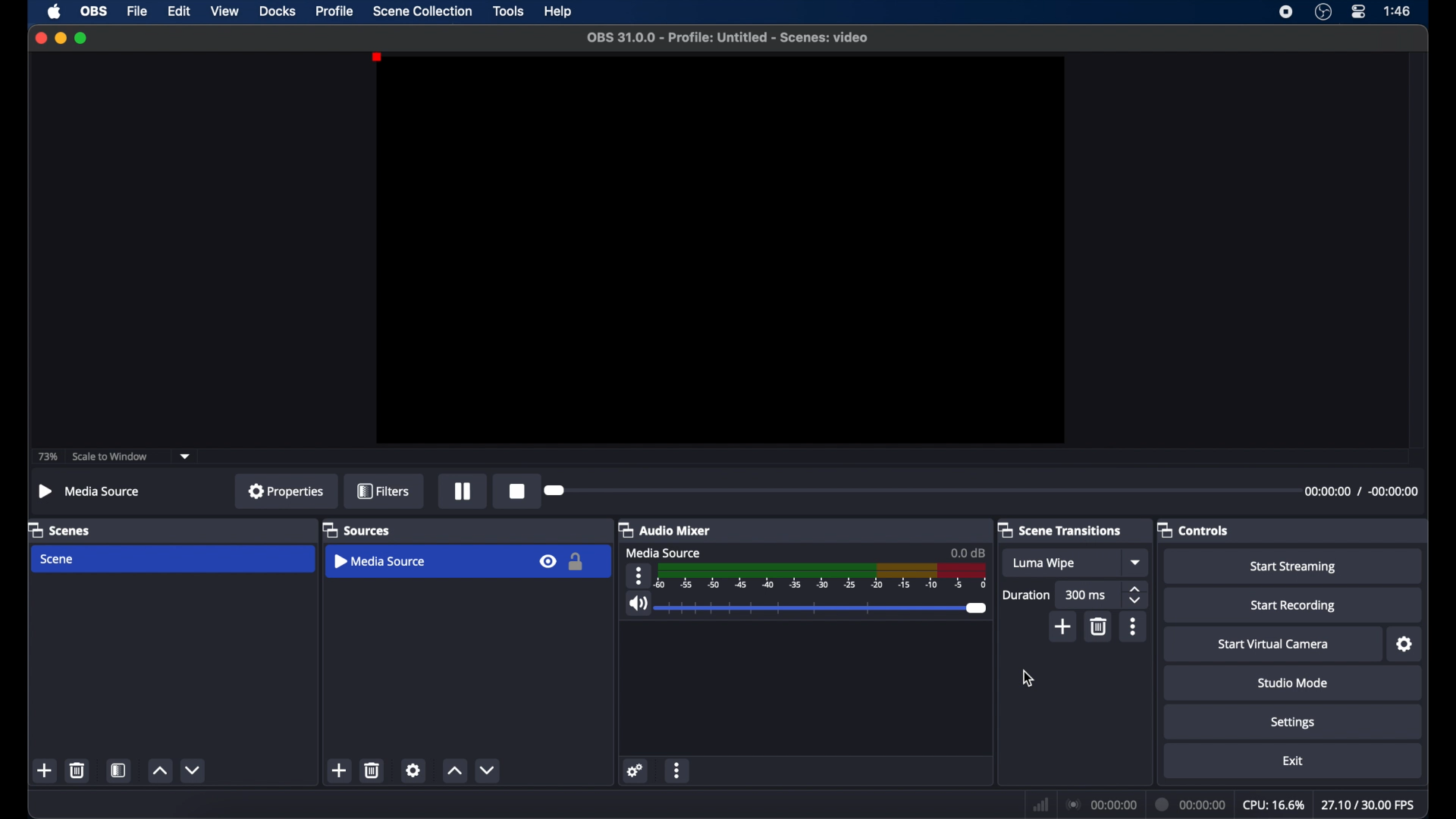 Image resolution: width=1456 pixels, height=819 pixels. What do you see at coordinates (413, 770) in the screenshot?
I see `settings` at bounding box center [413, 770].